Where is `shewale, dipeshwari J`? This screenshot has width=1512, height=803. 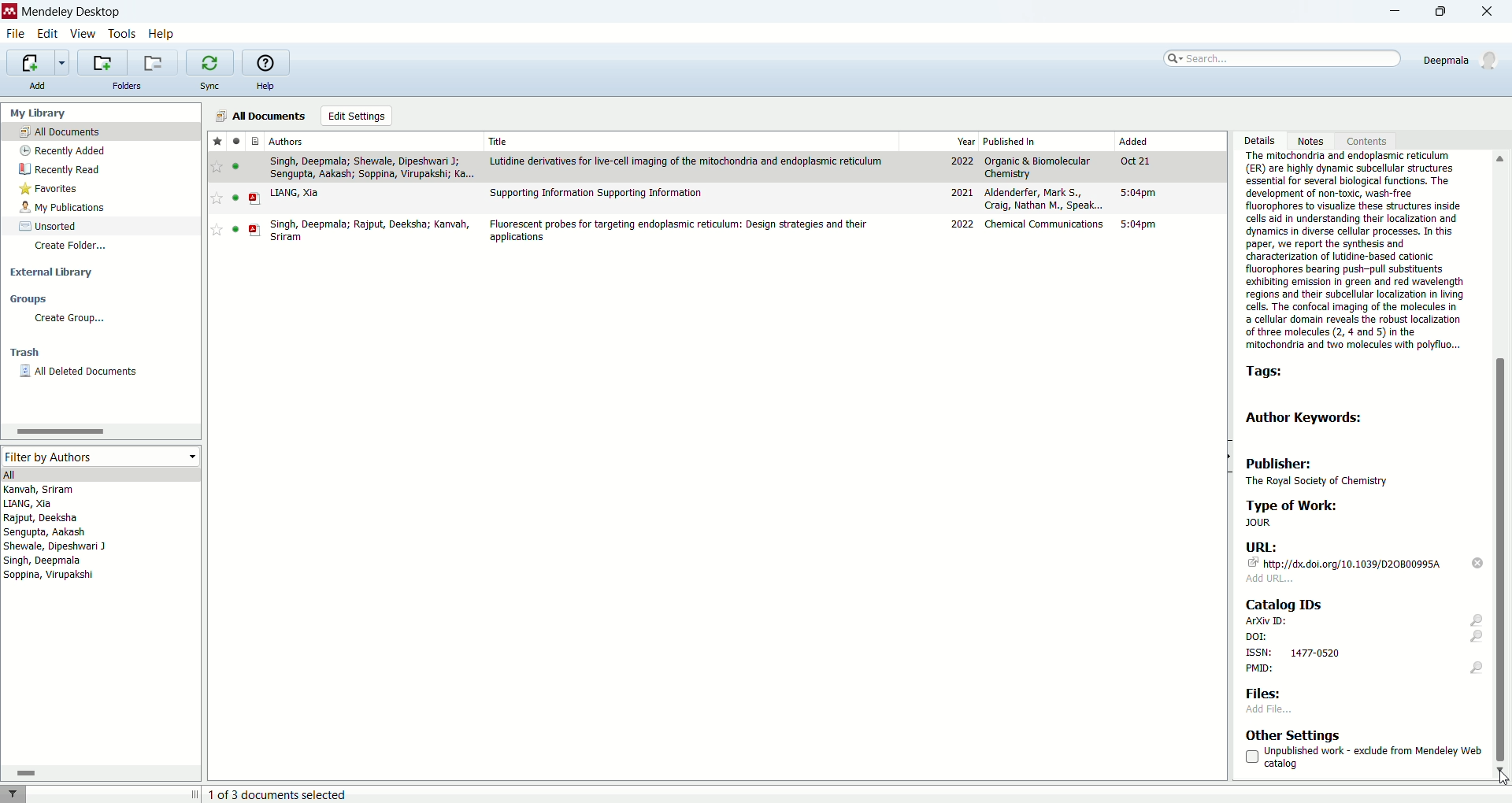 shewale, dipeshwari J is located at coordinates (55, 546).